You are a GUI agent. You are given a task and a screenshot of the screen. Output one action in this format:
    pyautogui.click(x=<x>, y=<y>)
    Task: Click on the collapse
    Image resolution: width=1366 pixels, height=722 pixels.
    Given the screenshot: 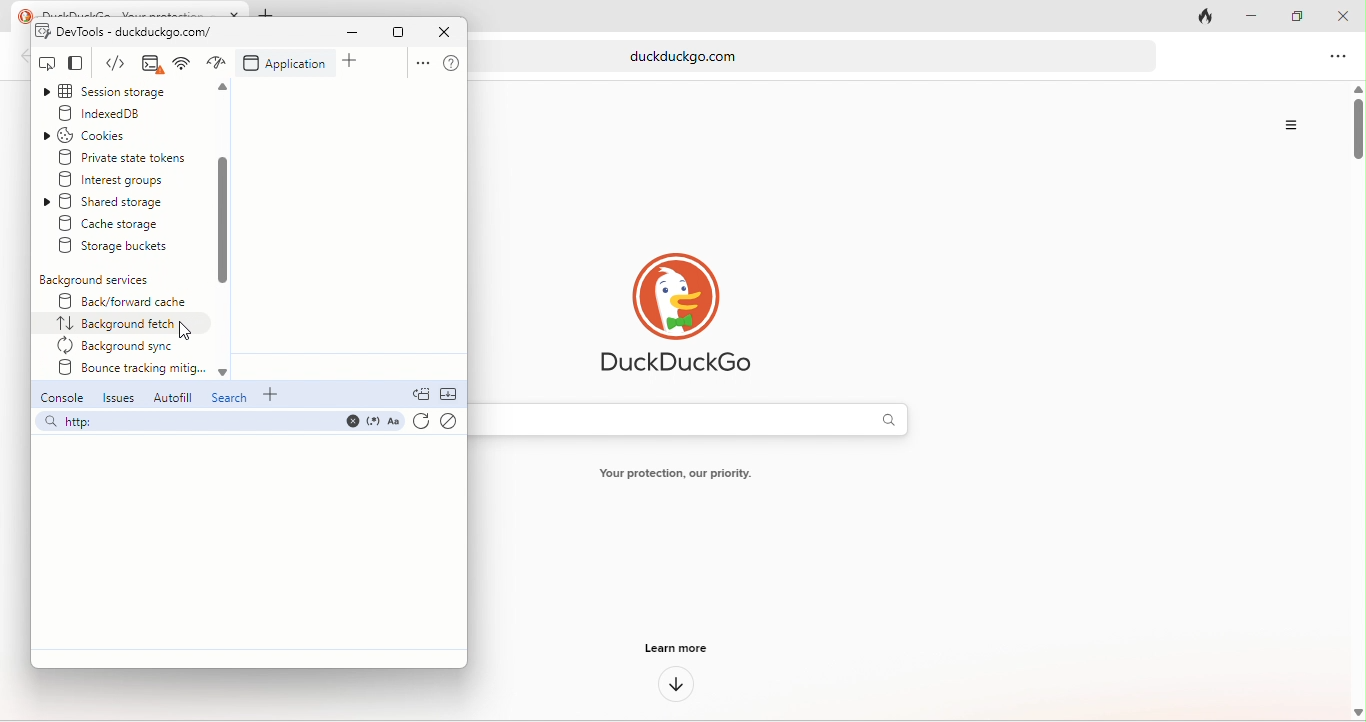 What is the action you would take?
    pyautogui.click(x=452, y=396)
    